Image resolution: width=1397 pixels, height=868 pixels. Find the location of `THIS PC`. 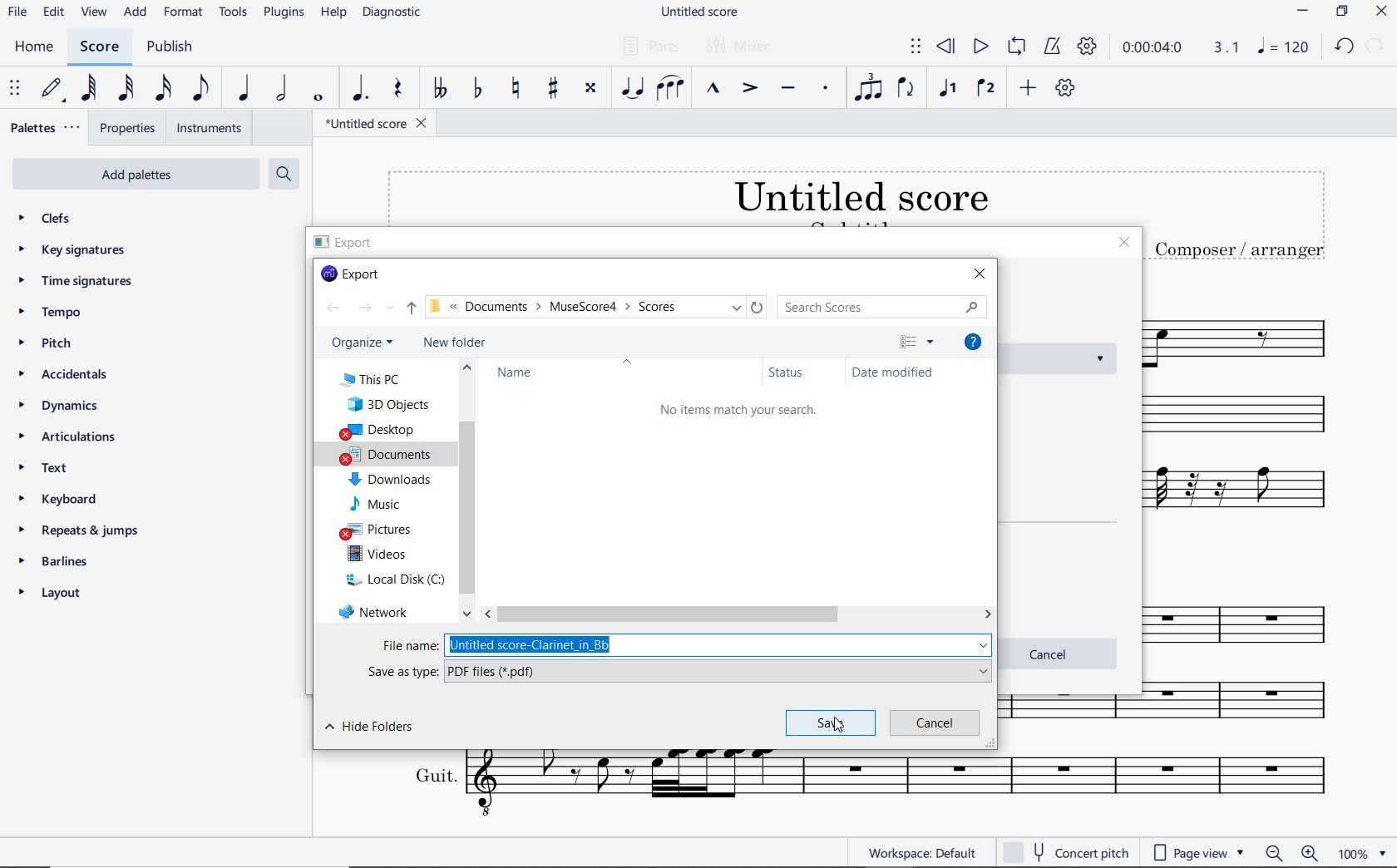

THIS PC is located at coordinates (386, 380).